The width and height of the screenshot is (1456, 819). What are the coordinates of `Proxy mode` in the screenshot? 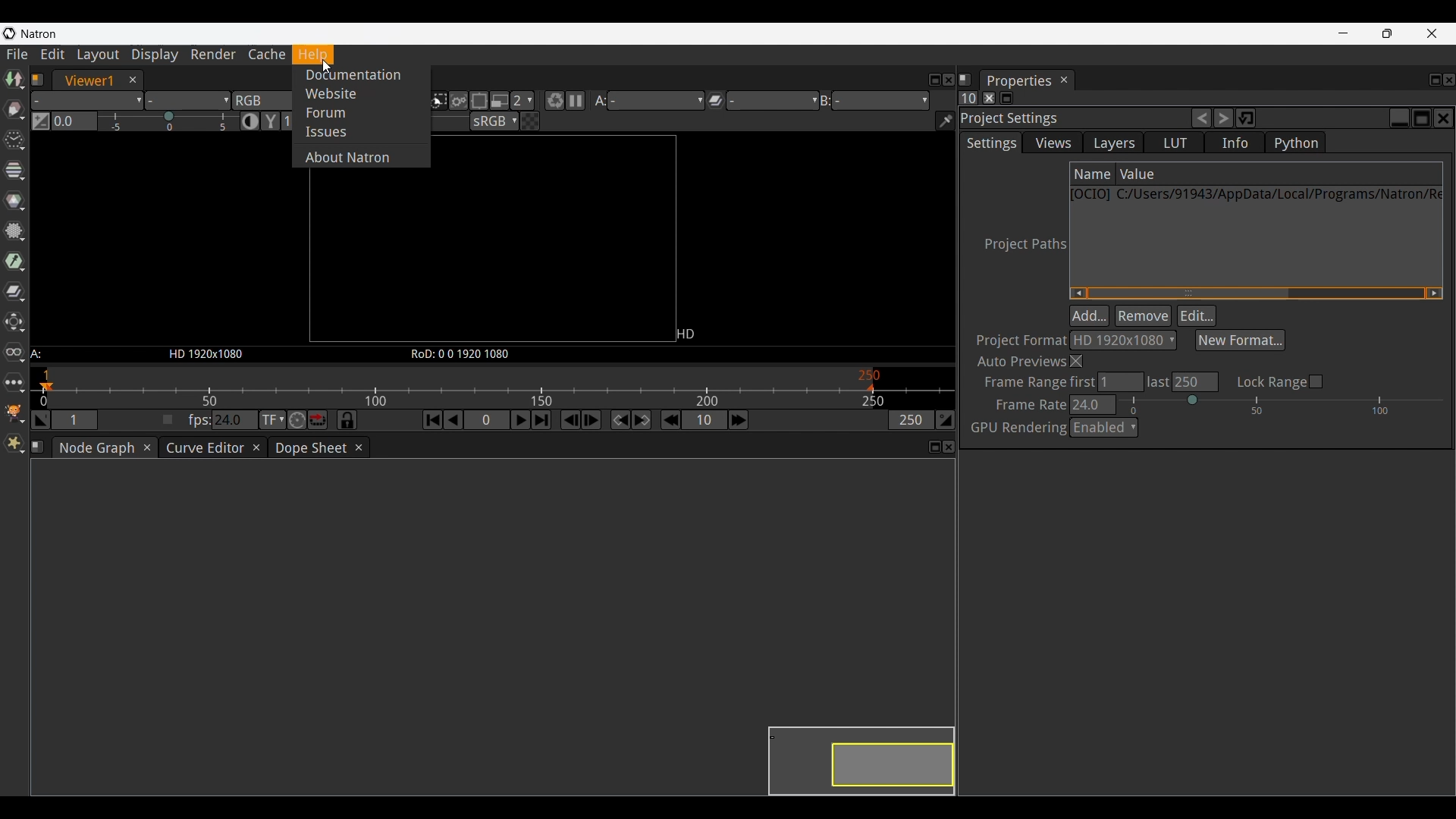 It's located at (500, 101).